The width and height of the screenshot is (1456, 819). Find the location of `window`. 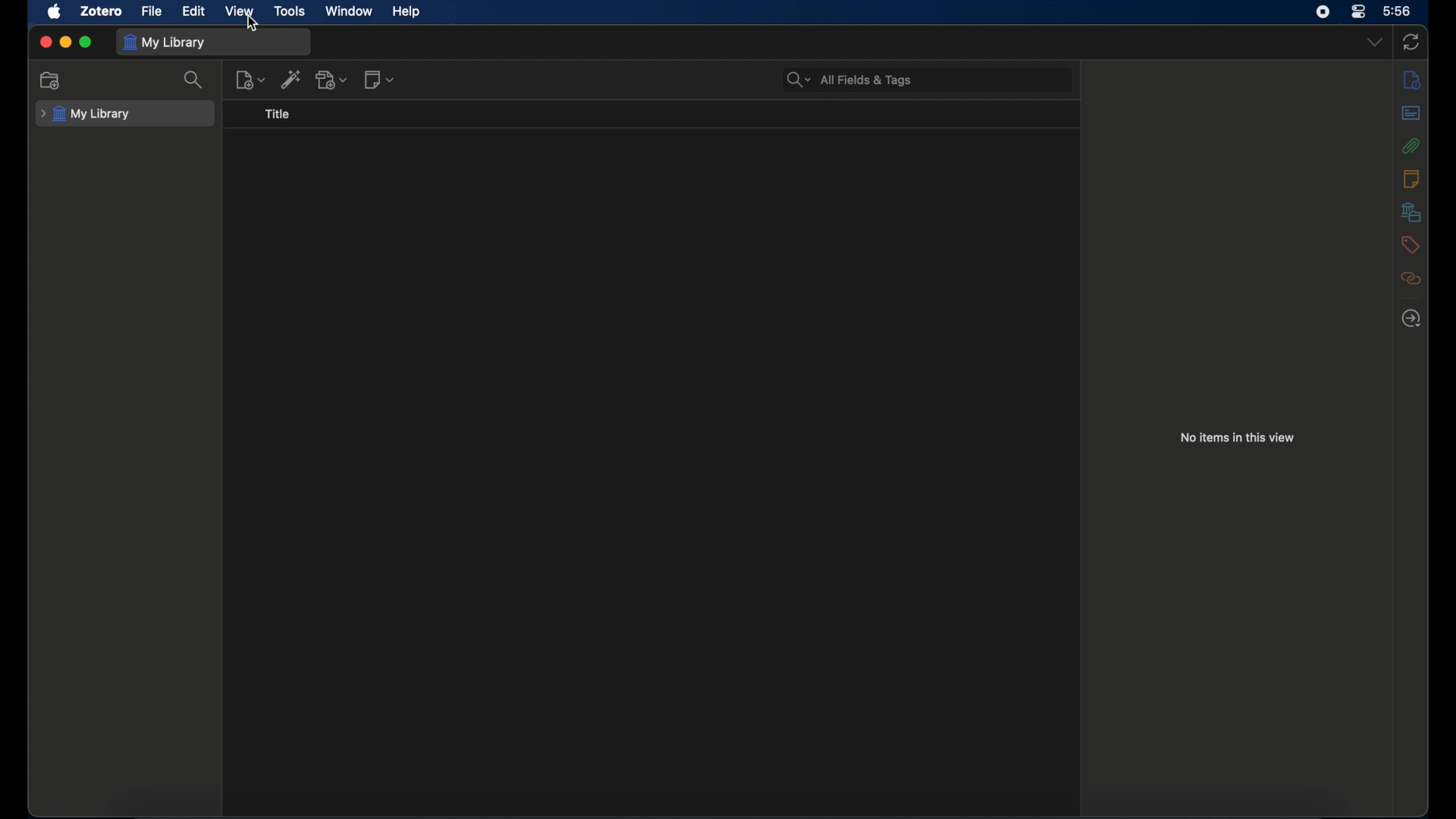

window is located at coordinates (347, 11).